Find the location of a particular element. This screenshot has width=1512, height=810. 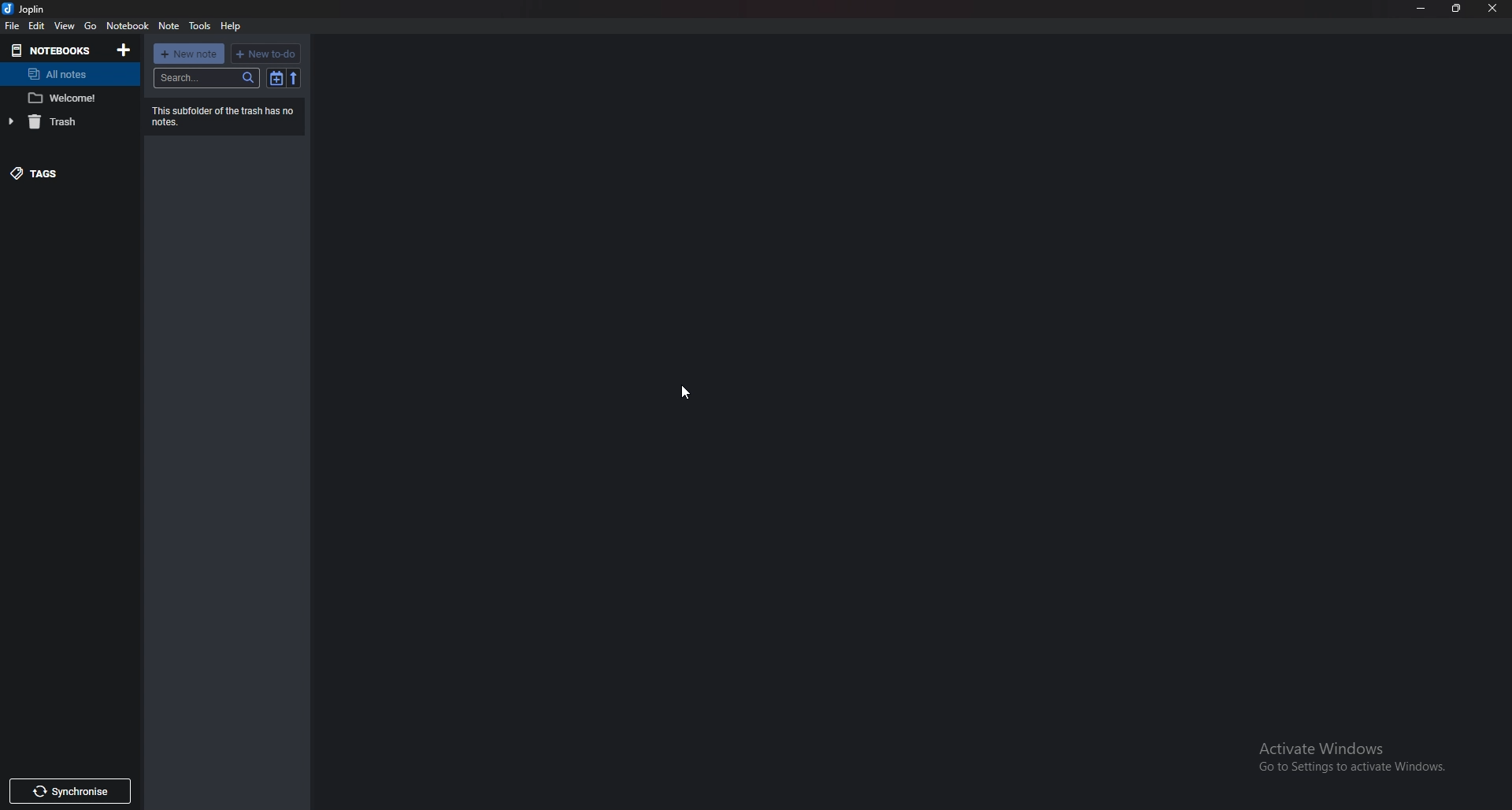

close is located at coordinates (1495, 9).